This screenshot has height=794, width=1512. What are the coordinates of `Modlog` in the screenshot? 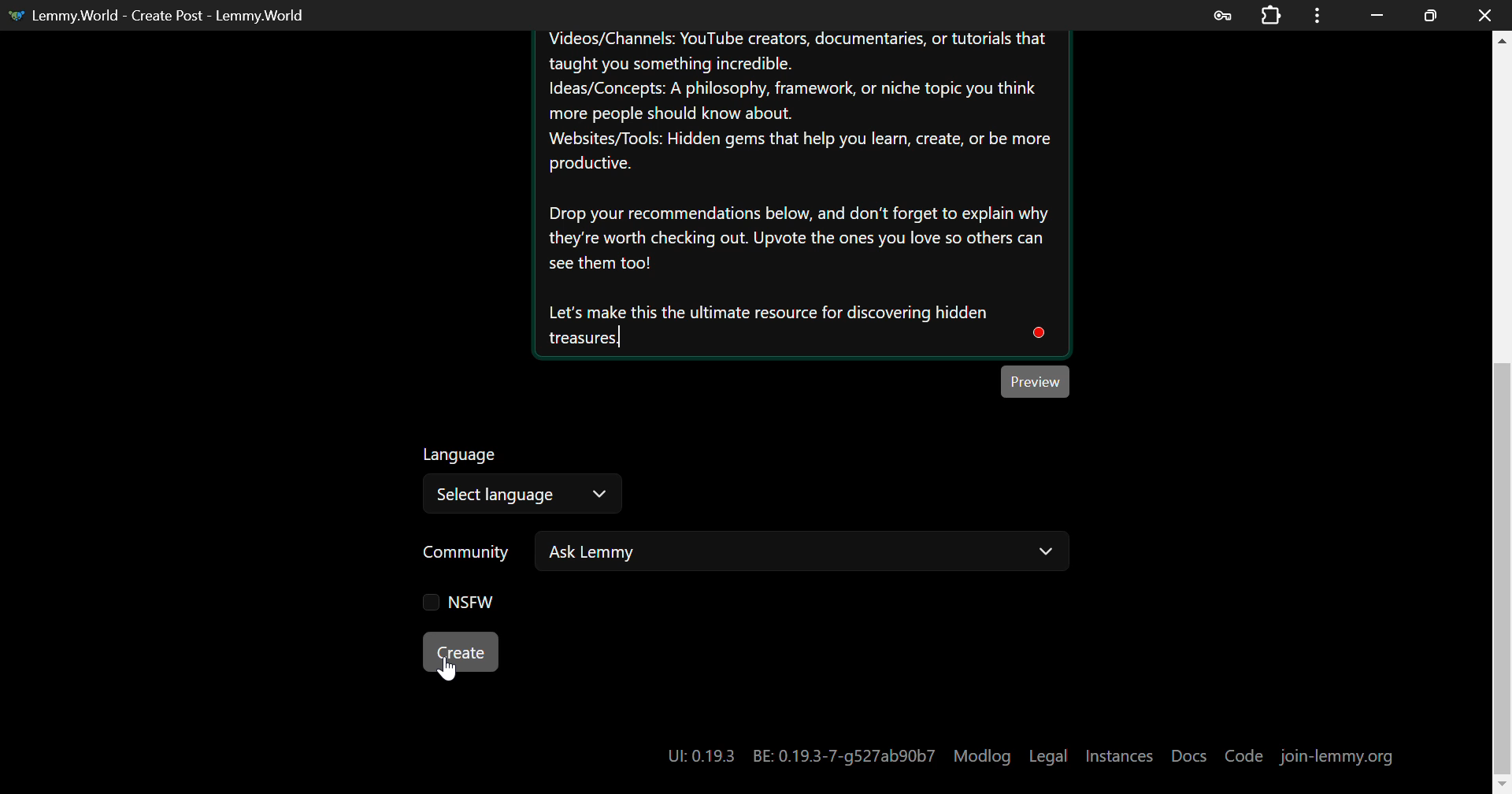 It's located at (982, 756).